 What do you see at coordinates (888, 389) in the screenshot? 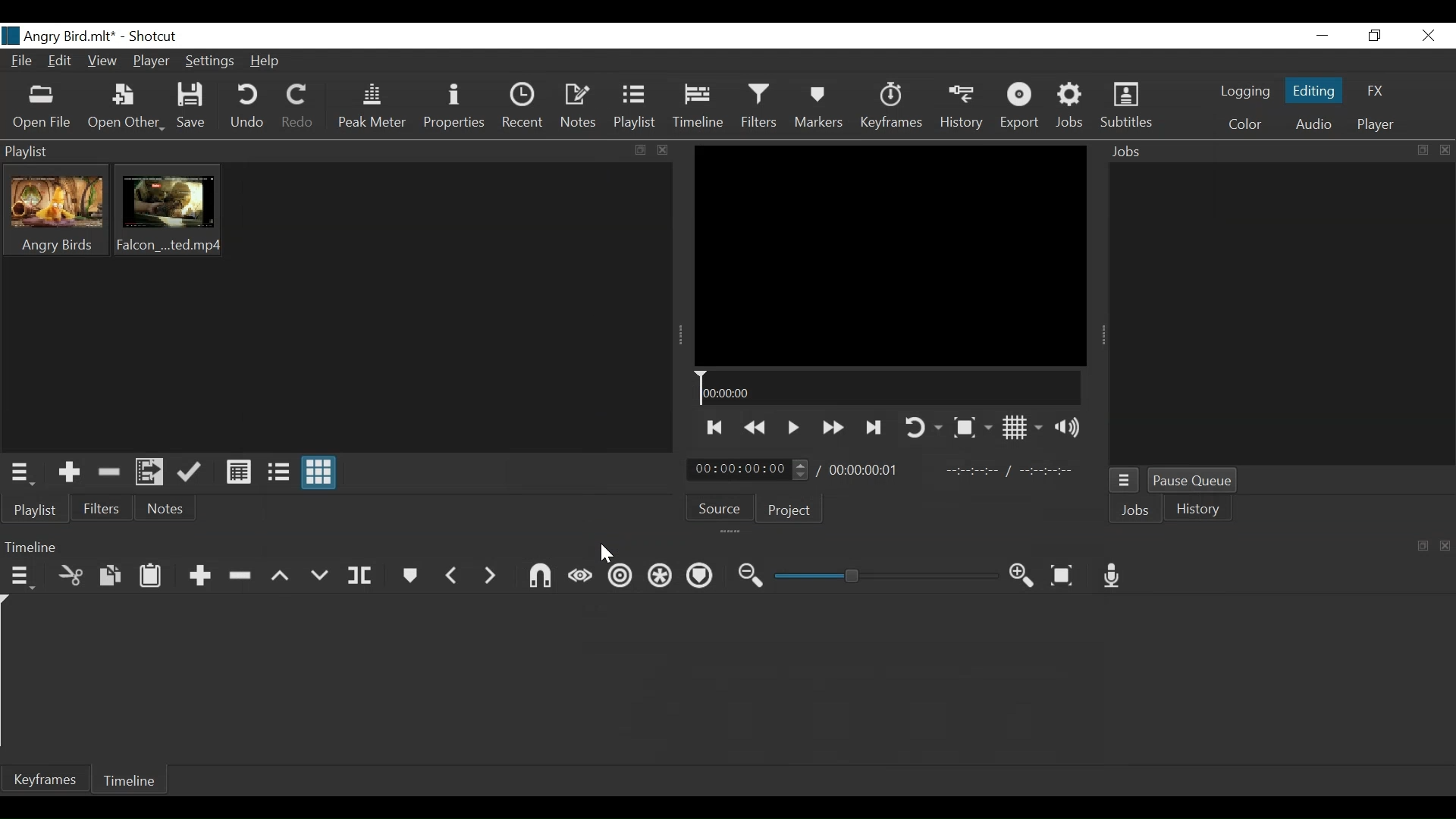
I see `Timeline` at bounding box center [888, 389].